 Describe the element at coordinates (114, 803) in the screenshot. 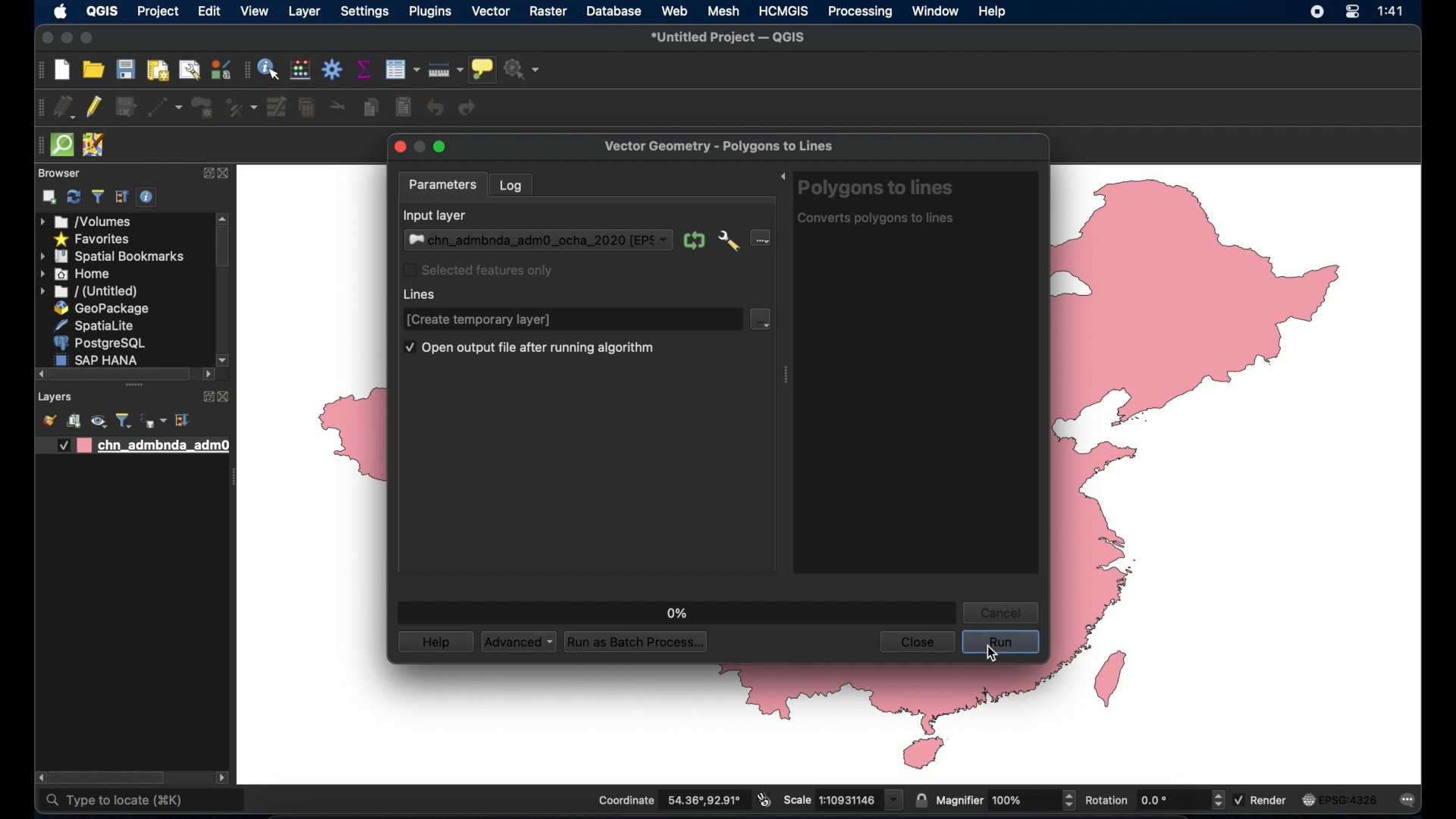

I see `type to locate` at that location.